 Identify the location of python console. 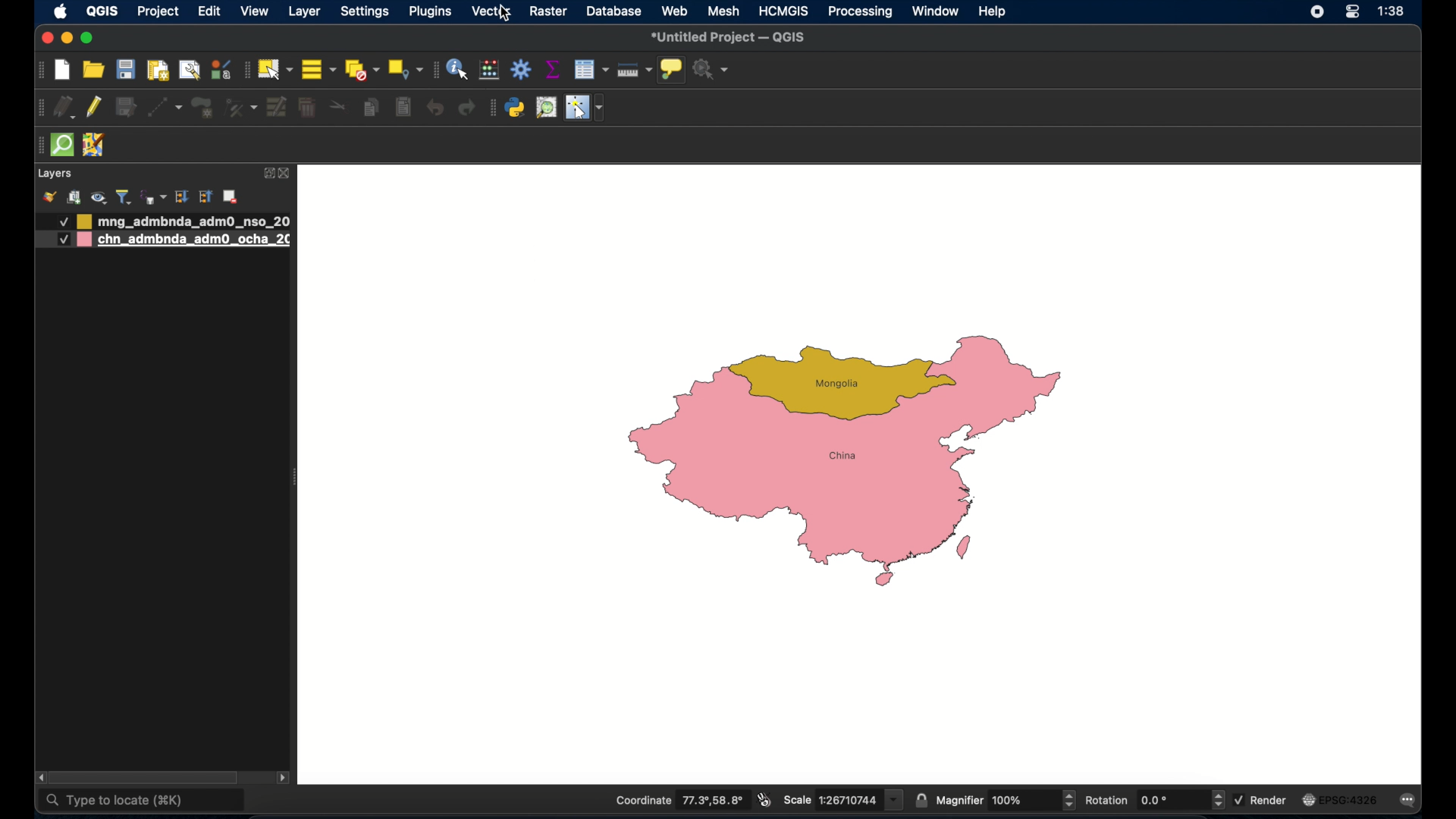
(516, 108).